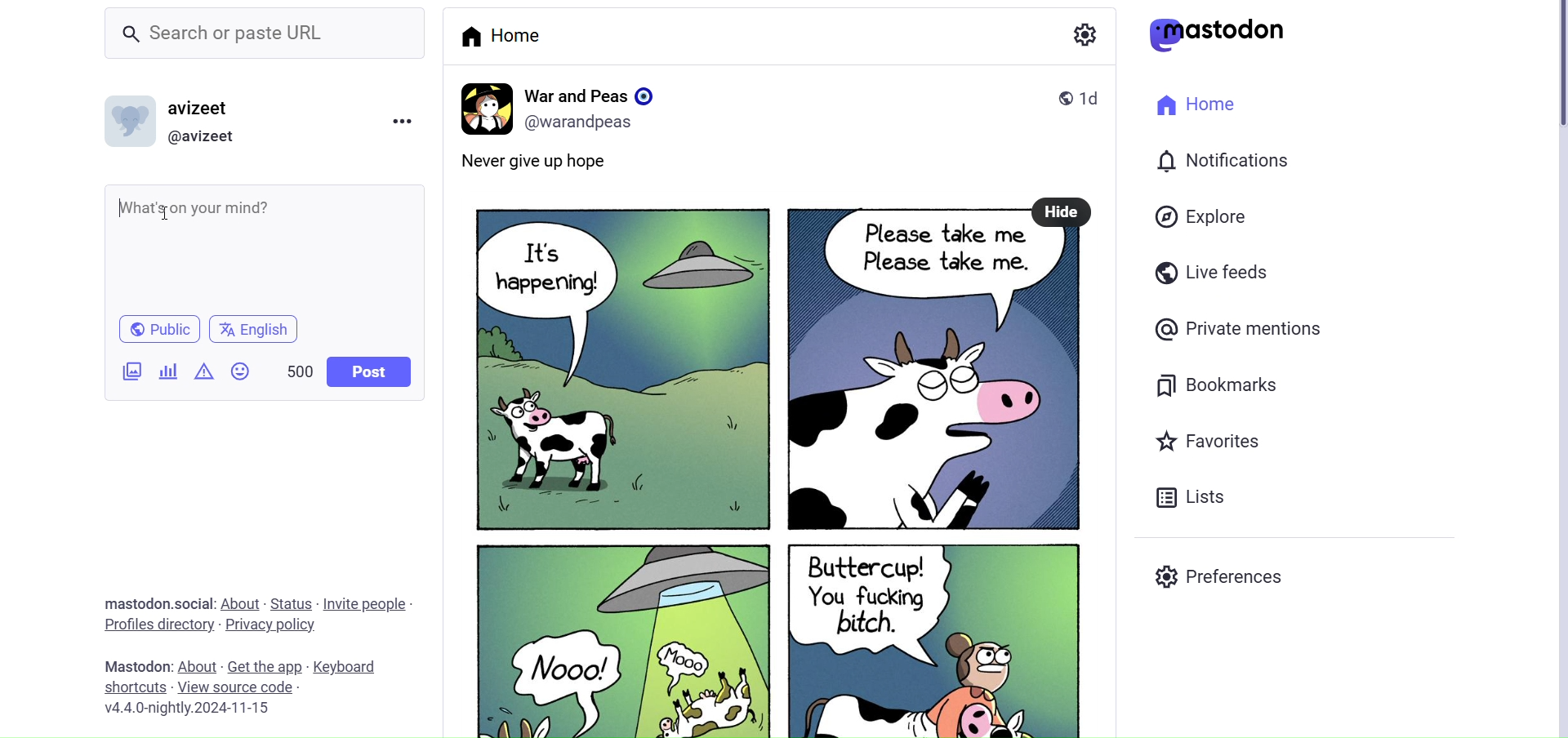  What do you see at coordinates (255, 331) in the screenshot?
I see `english` at bounding box center [255, 331].